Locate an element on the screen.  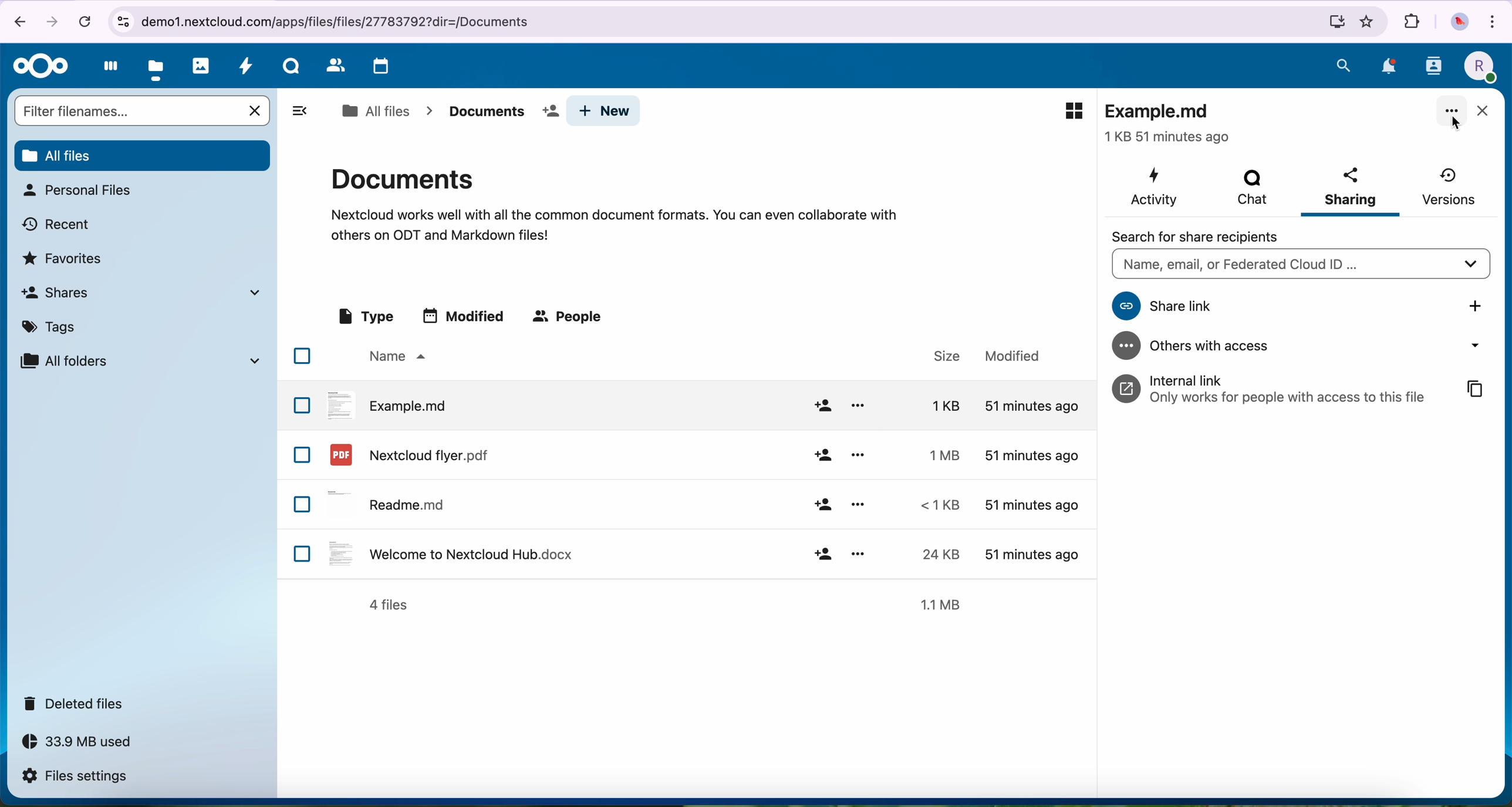
toggle sidebar is located at coordinates (299, 110).